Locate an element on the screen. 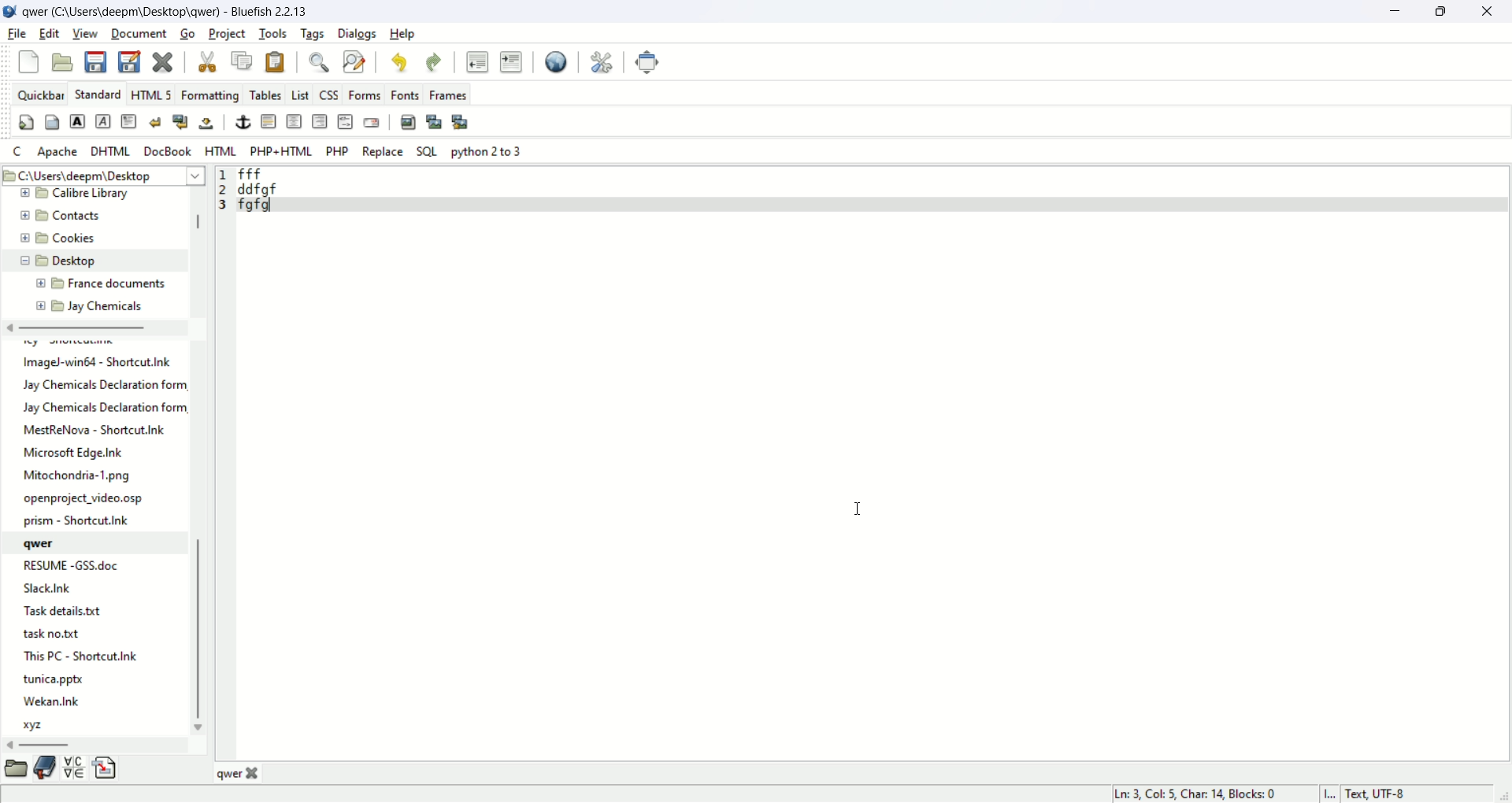  file browser is located at coordinates (15, 769).